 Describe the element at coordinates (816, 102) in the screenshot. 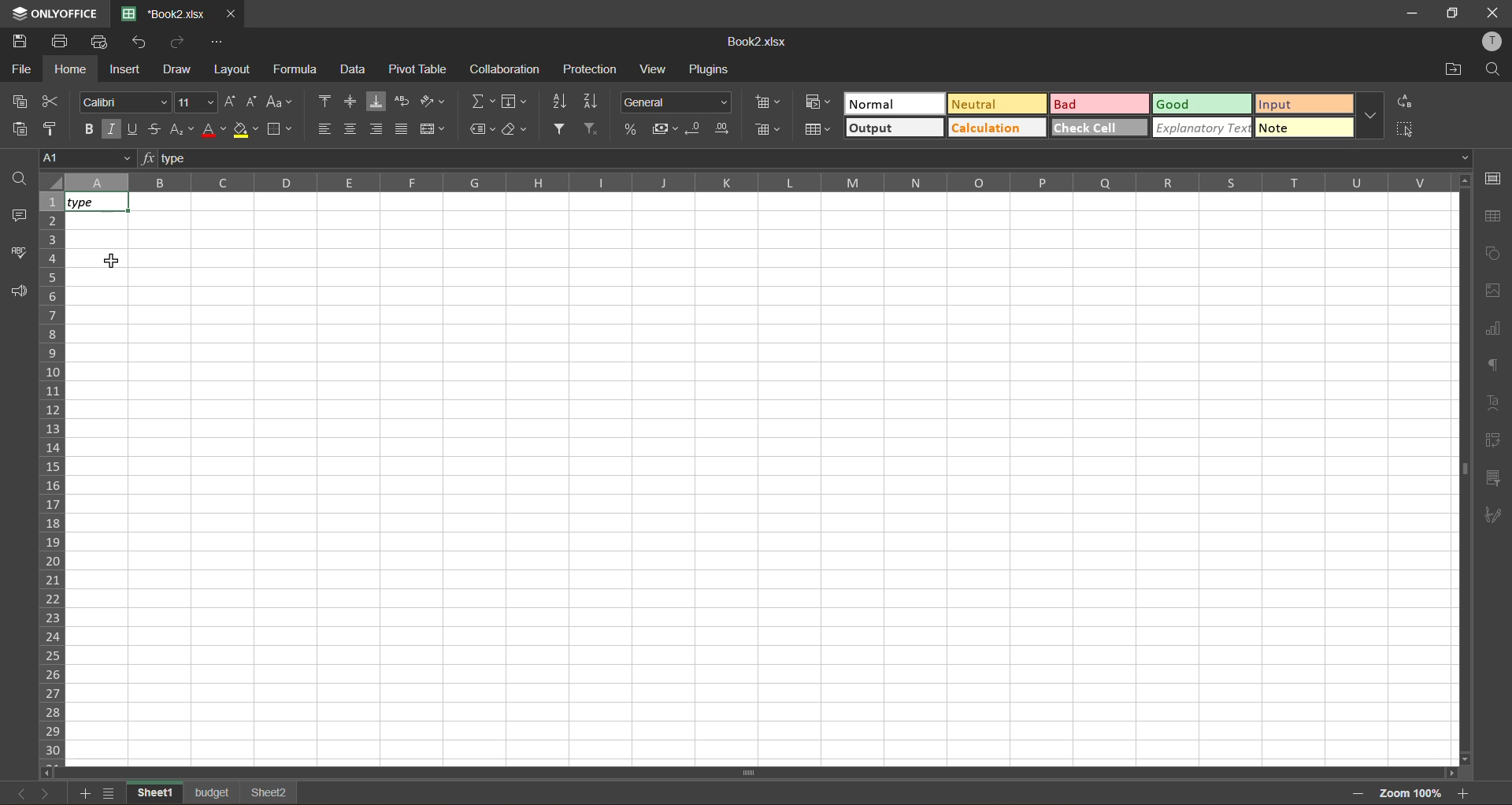

I see `conditional formatting` at that location.